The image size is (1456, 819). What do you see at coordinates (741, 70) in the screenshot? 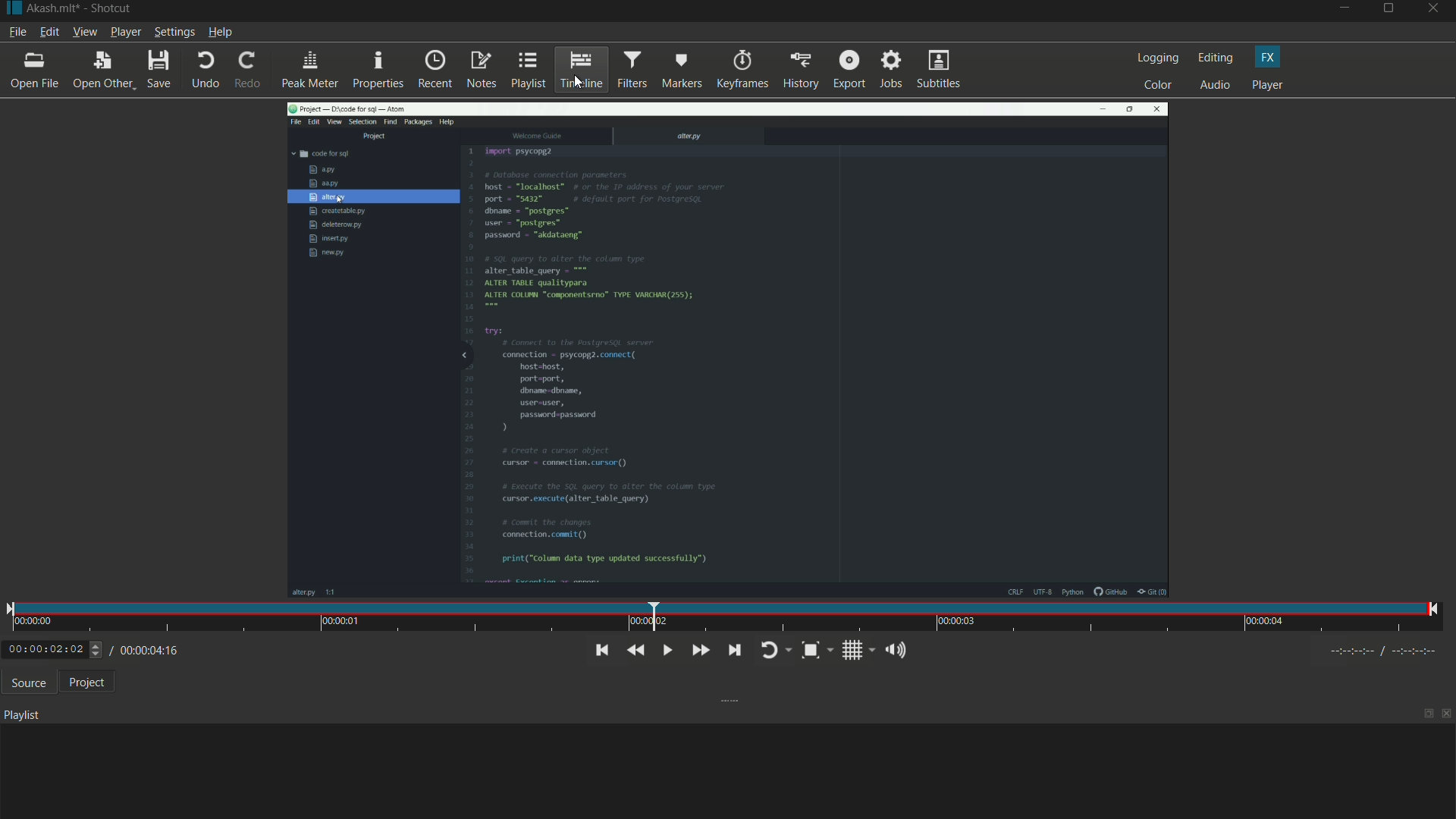
I see `keyframes` at bounding box center [741, 70].